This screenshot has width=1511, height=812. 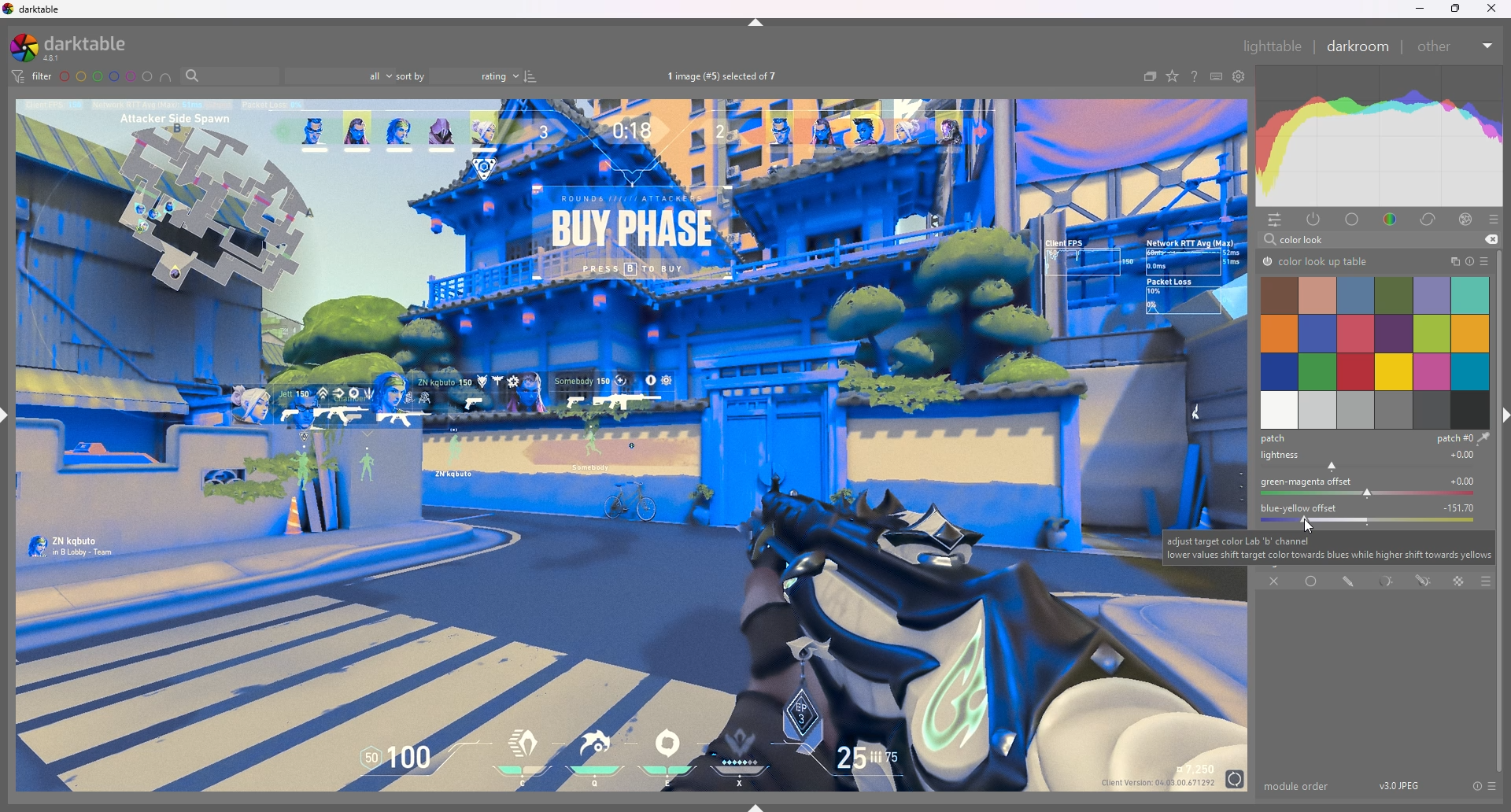 What do you see at coordinates (1149, 76) in the screenshot?
I see `collapse grouped images` at bounding box center [1149, 76].